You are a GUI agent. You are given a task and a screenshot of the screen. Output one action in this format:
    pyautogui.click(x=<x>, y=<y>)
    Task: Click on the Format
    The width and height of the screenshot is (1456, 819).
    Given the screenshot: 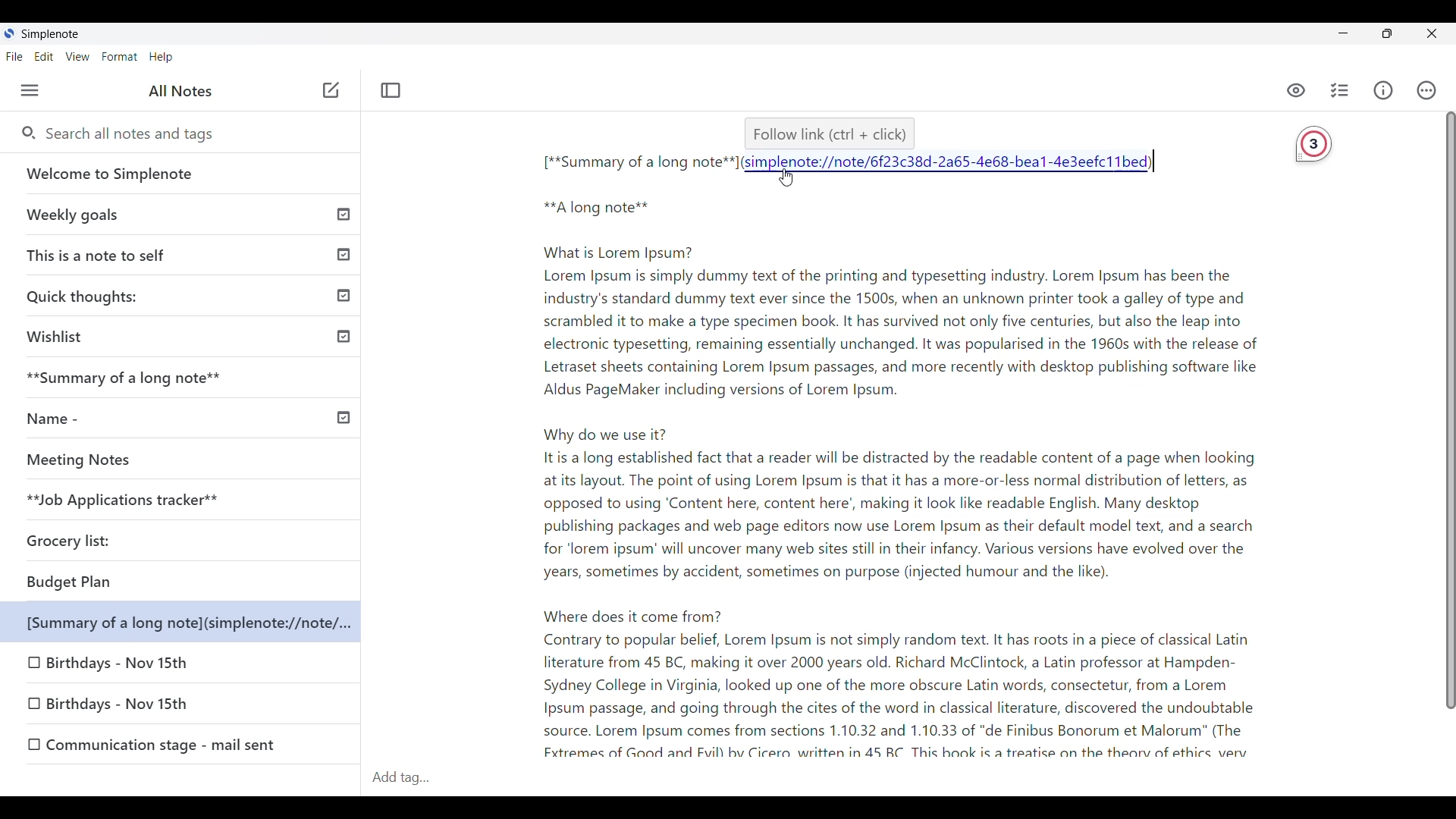 What is the action you would take?
    pyautogui.click(x=120, y=57)
    